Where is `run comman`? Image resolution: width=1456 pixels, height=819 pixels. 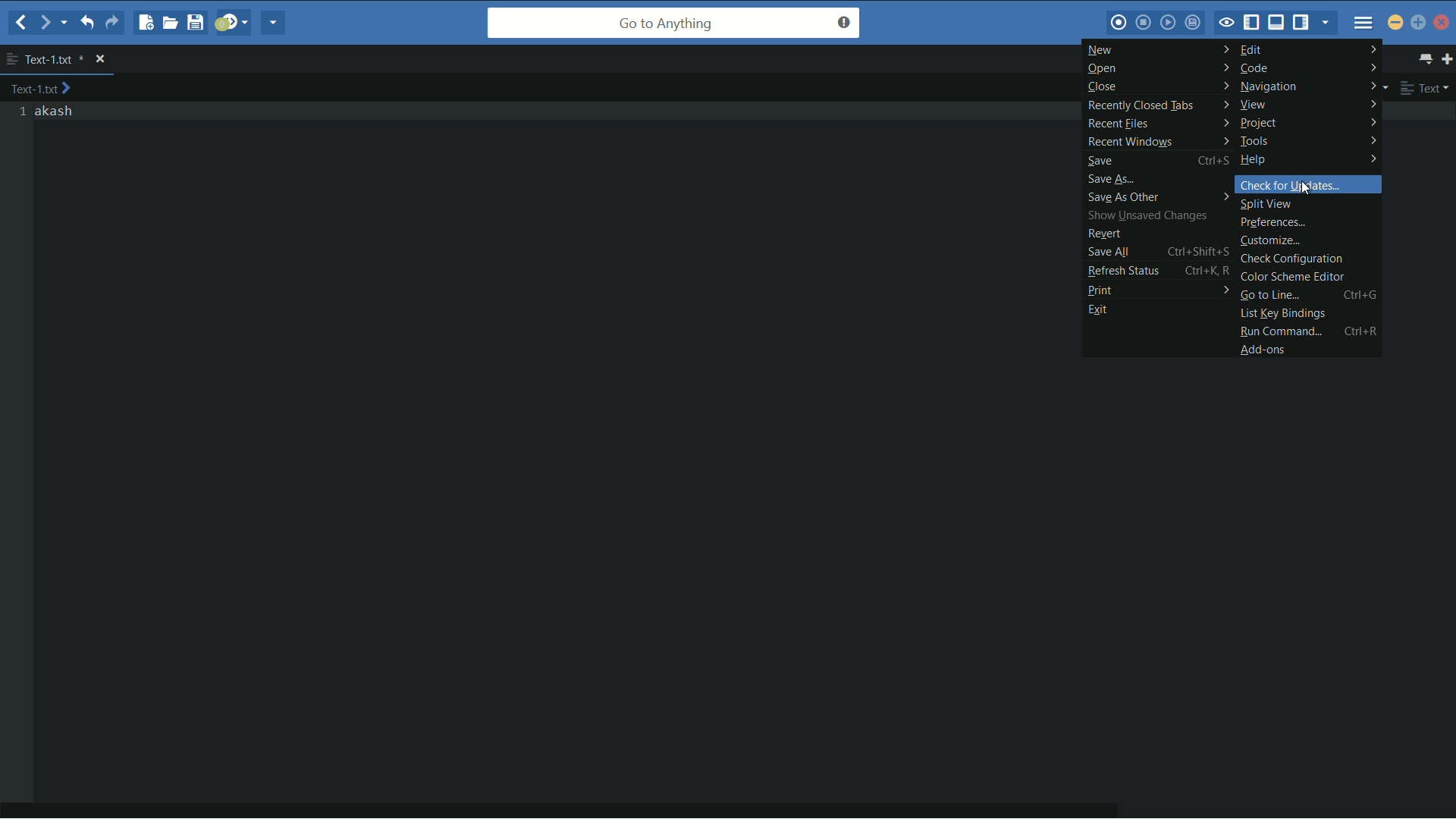
run comman is located at coordinates (1310, 331).